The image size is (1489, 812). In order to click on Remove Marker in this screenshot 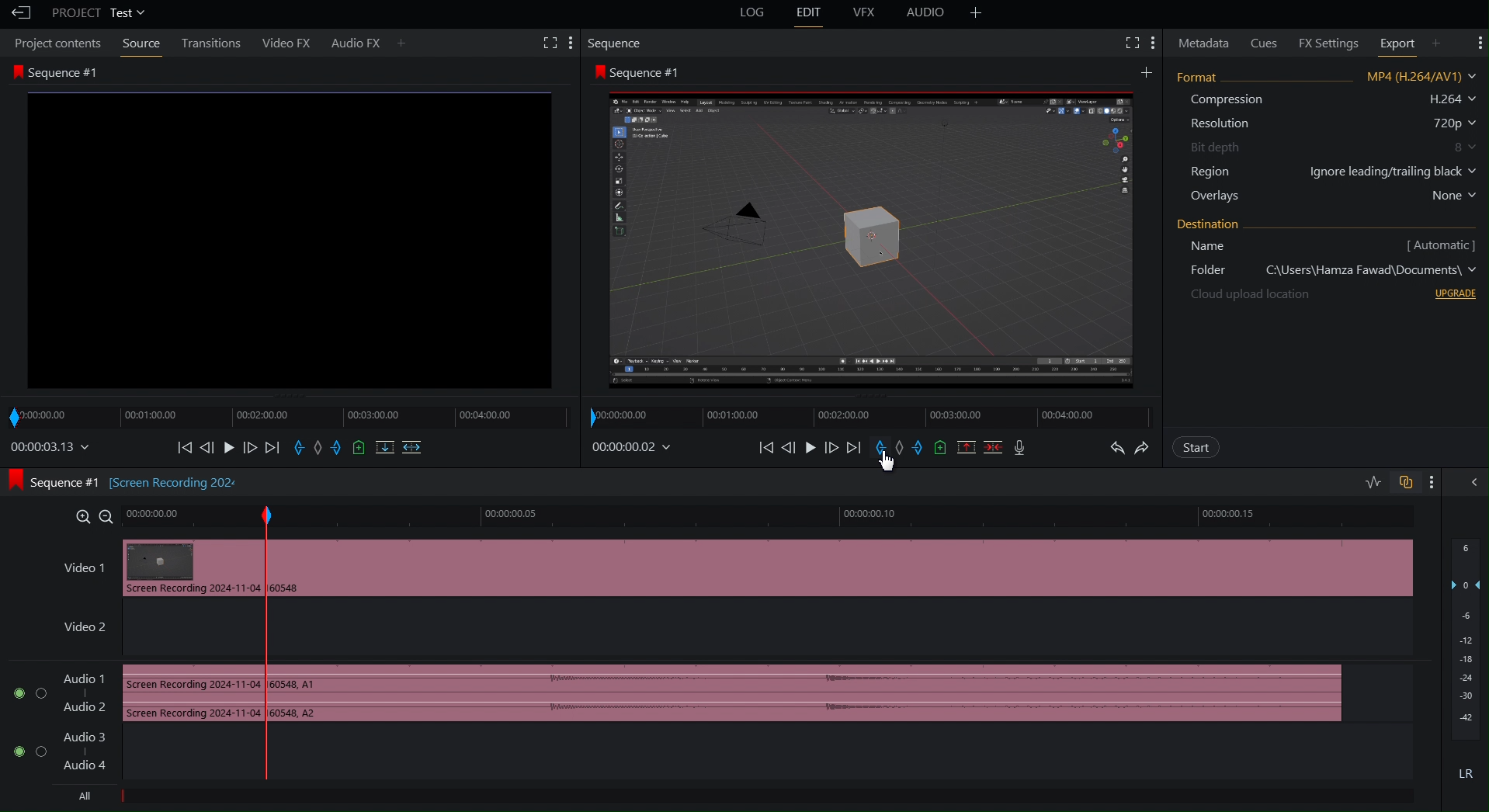, I will do `click(902, 448)`.